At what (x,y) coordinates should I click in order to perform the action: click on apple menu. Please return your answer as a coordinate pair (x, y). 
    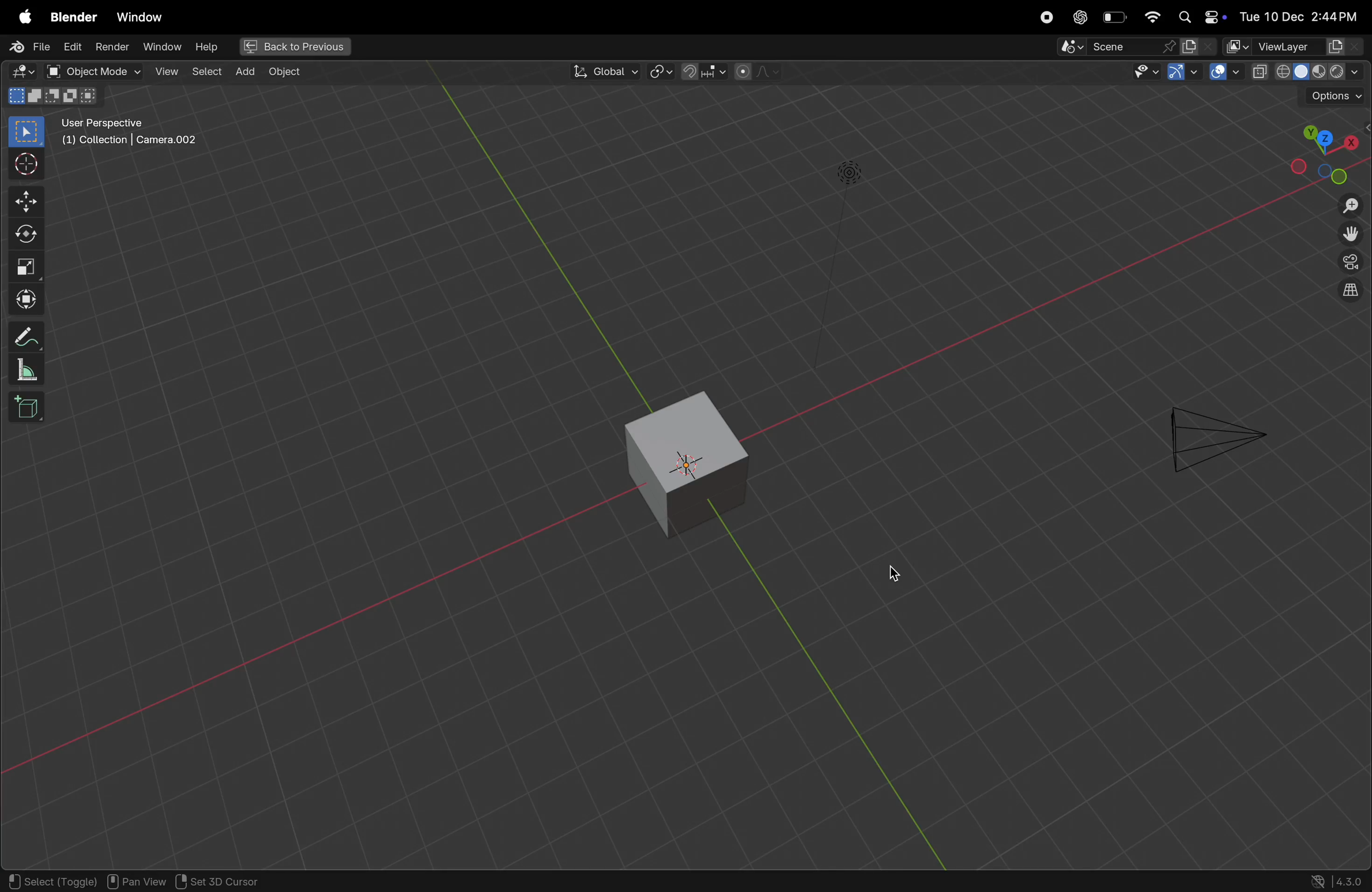
    Looking at the image, I should click on (22, 17).